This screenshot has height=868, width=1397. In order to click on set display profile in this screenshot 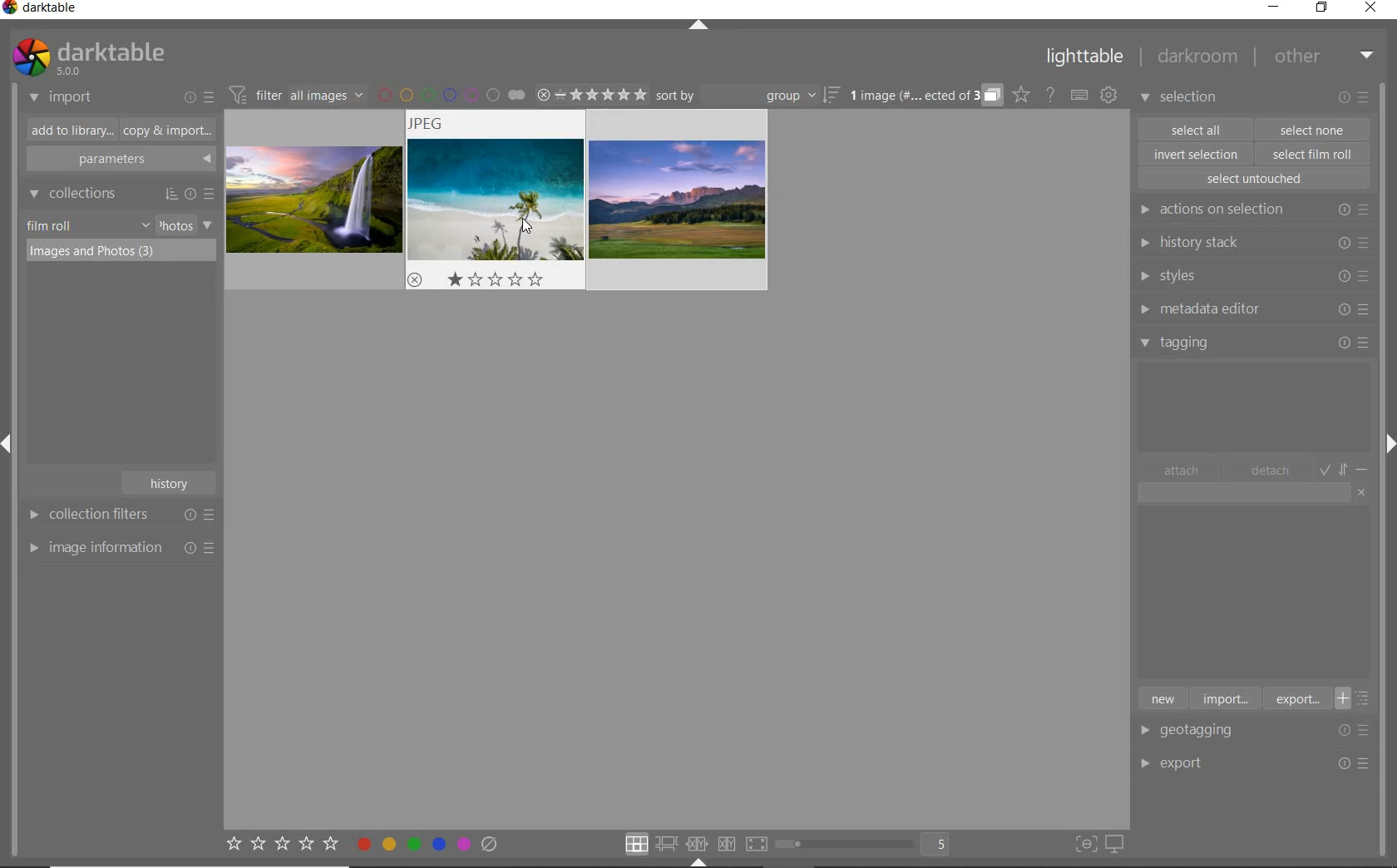, I will do `click(1114, 845)`.